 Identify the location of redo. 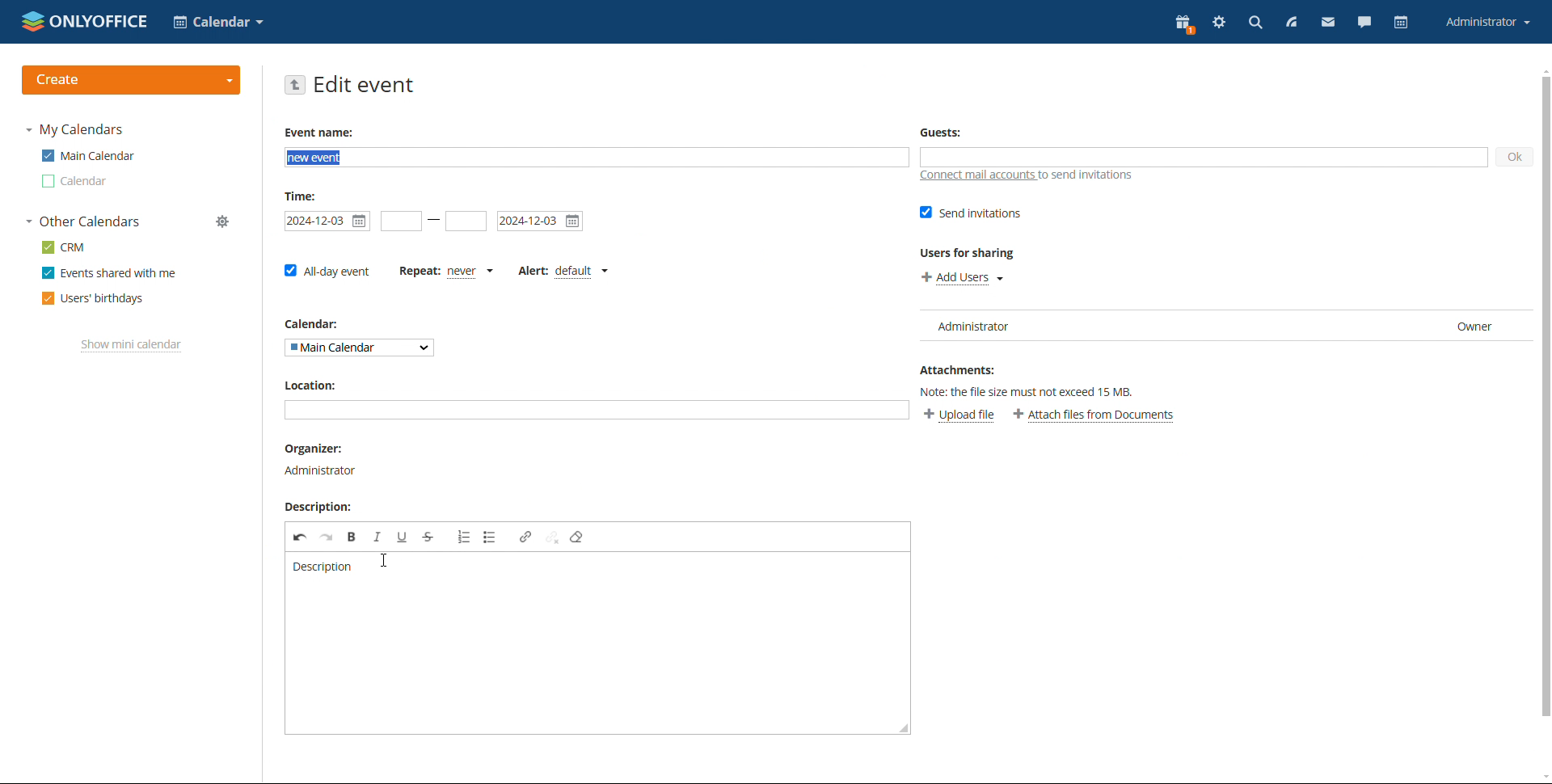
(327, 536).